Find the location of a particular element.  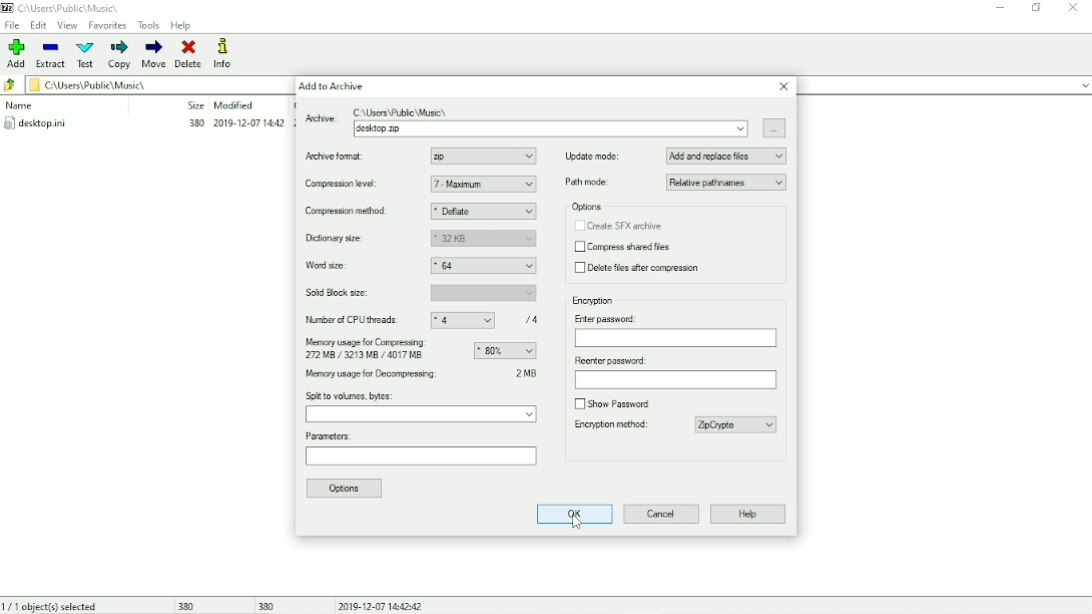

Minimize is located at coordinates (1001, 8).